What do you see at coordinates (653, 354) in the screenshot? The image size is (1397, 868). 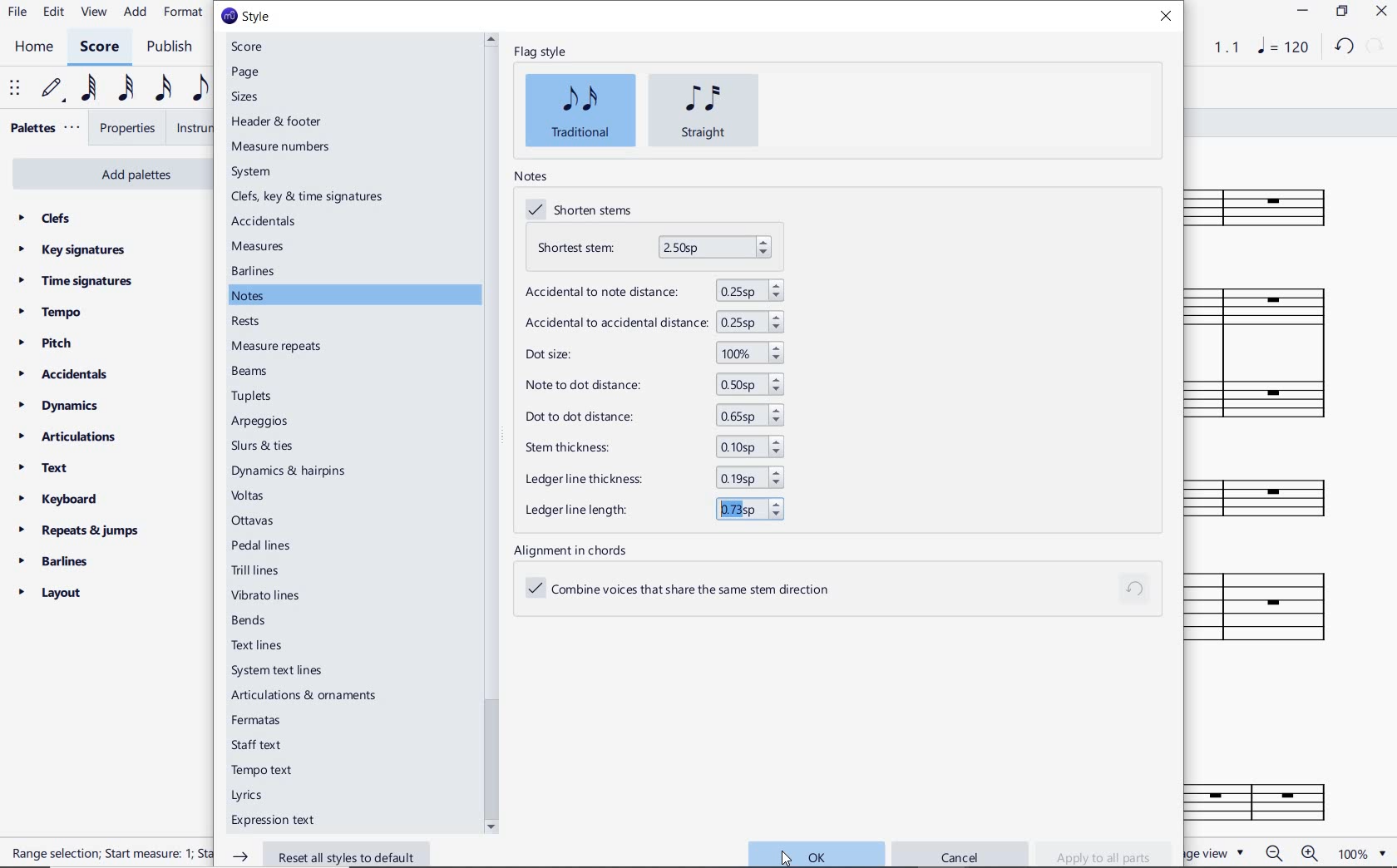 I see `dot size` at bounding box center [653, 354].